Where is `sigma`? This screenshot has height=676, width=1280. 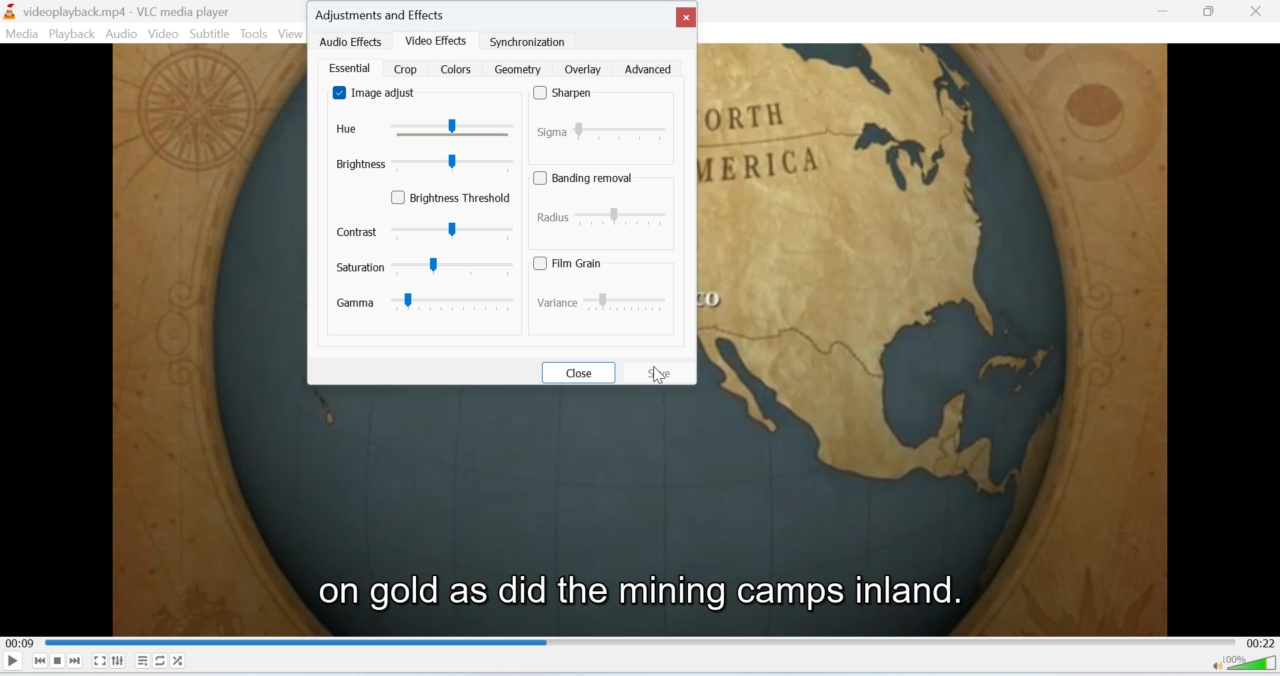 sigma is located at coordinates (607, 129).